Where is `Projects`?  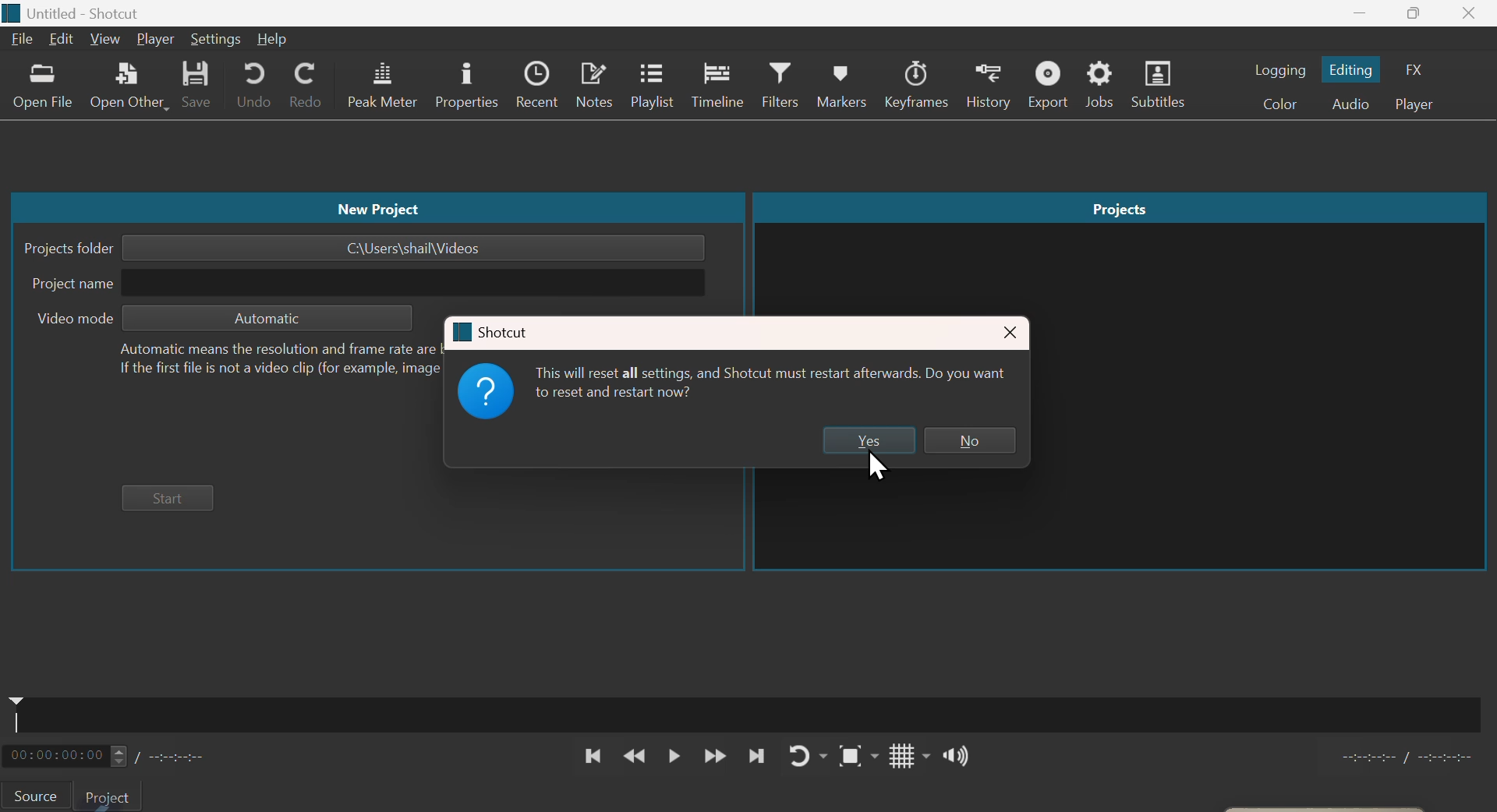
Projects is located at coordinates (1120, 207).